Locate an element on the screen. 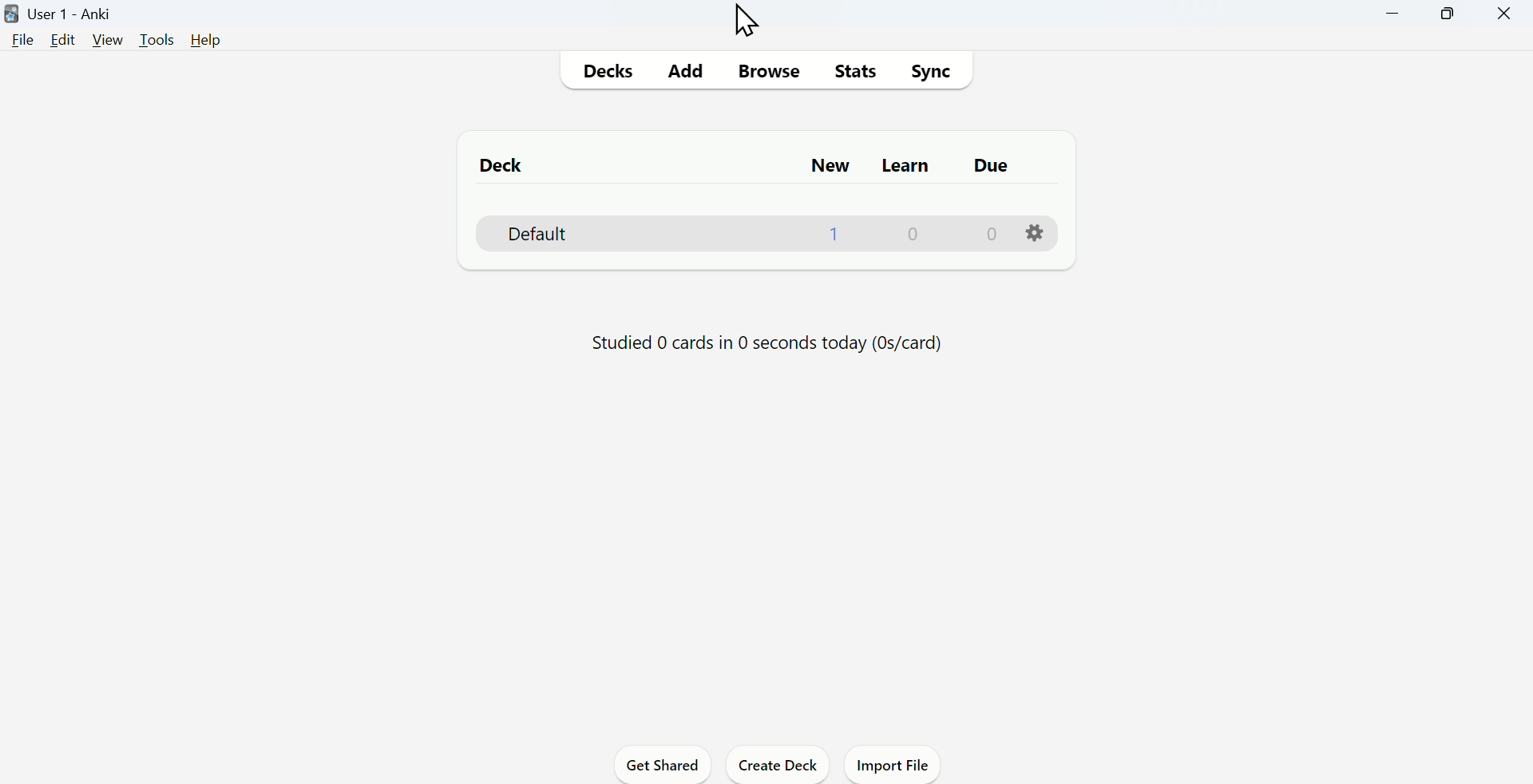 The height and width of the screenshot is (784, 1533). File is located at coordinates (23, 44).